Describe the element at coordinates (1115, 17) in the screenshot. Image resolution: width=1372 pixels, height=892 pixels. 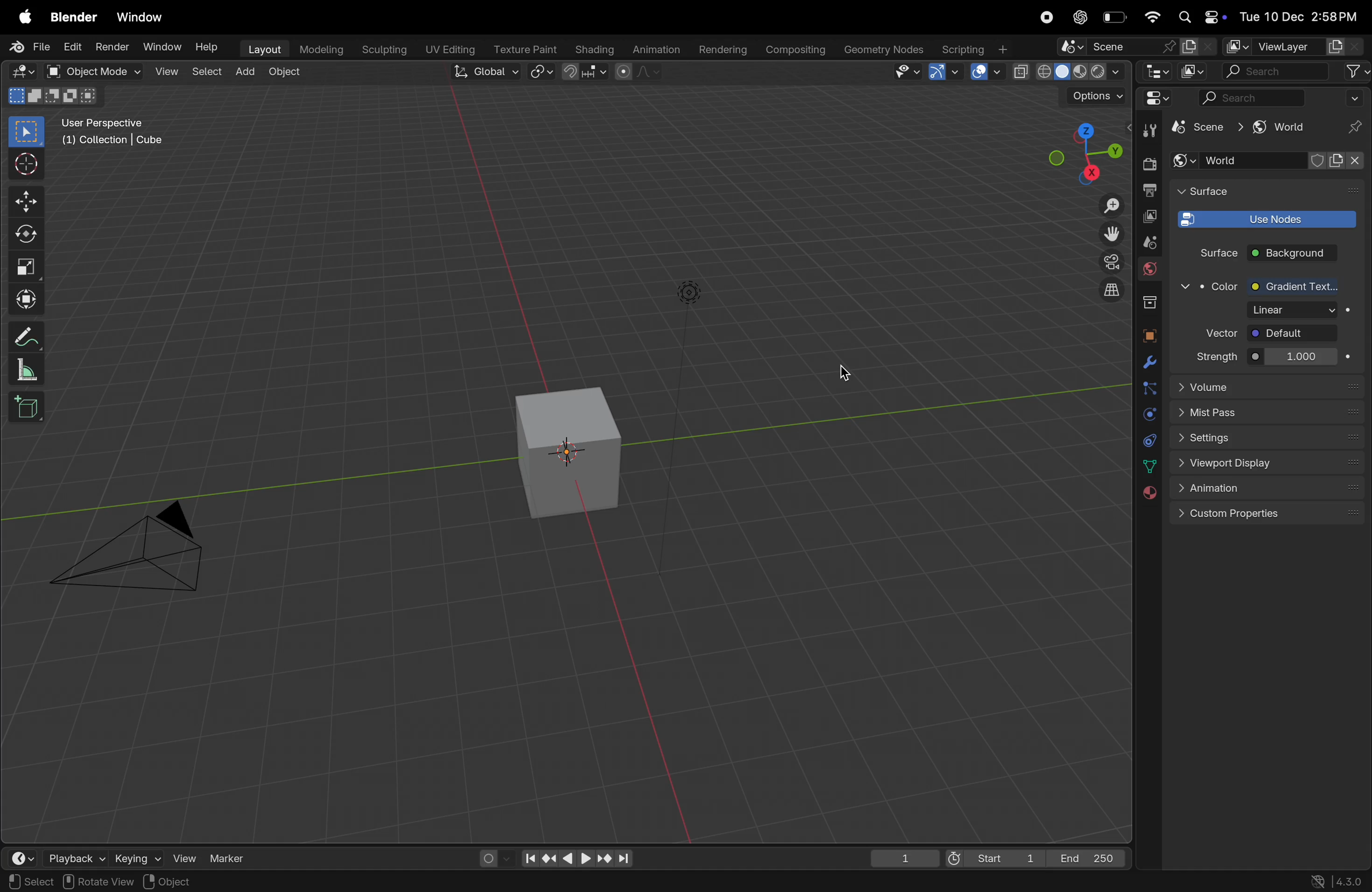
I see `battery` at that location.